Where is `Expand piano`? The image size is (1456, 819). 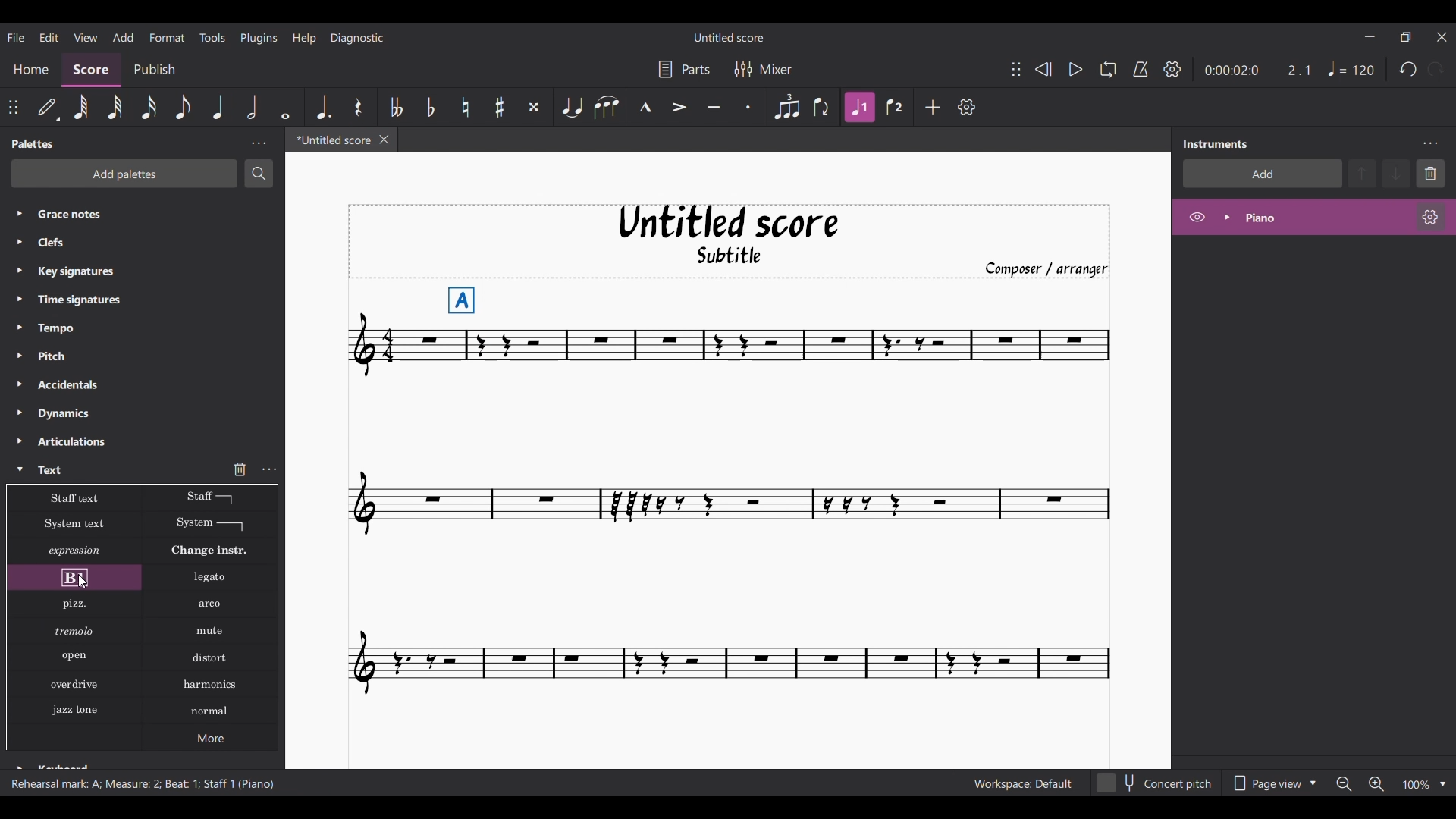
Expand piano is located at coordinates (1227, 217).